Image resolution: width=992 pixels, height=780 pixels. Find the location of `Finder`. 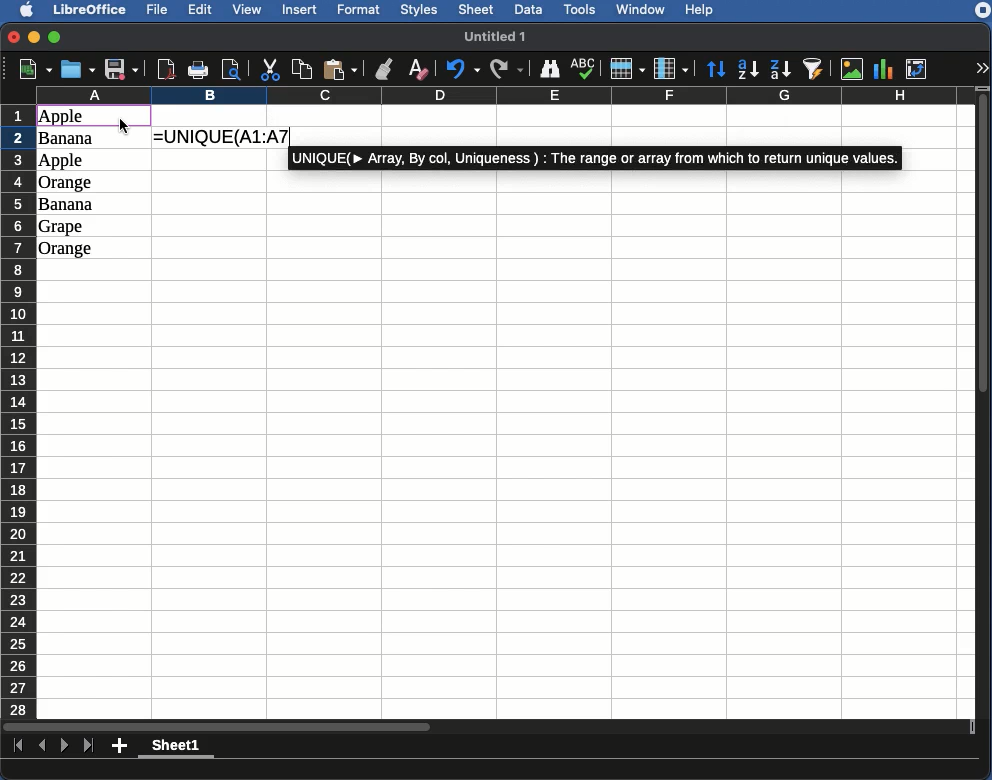

Finder is located at coordinates (551, 70).